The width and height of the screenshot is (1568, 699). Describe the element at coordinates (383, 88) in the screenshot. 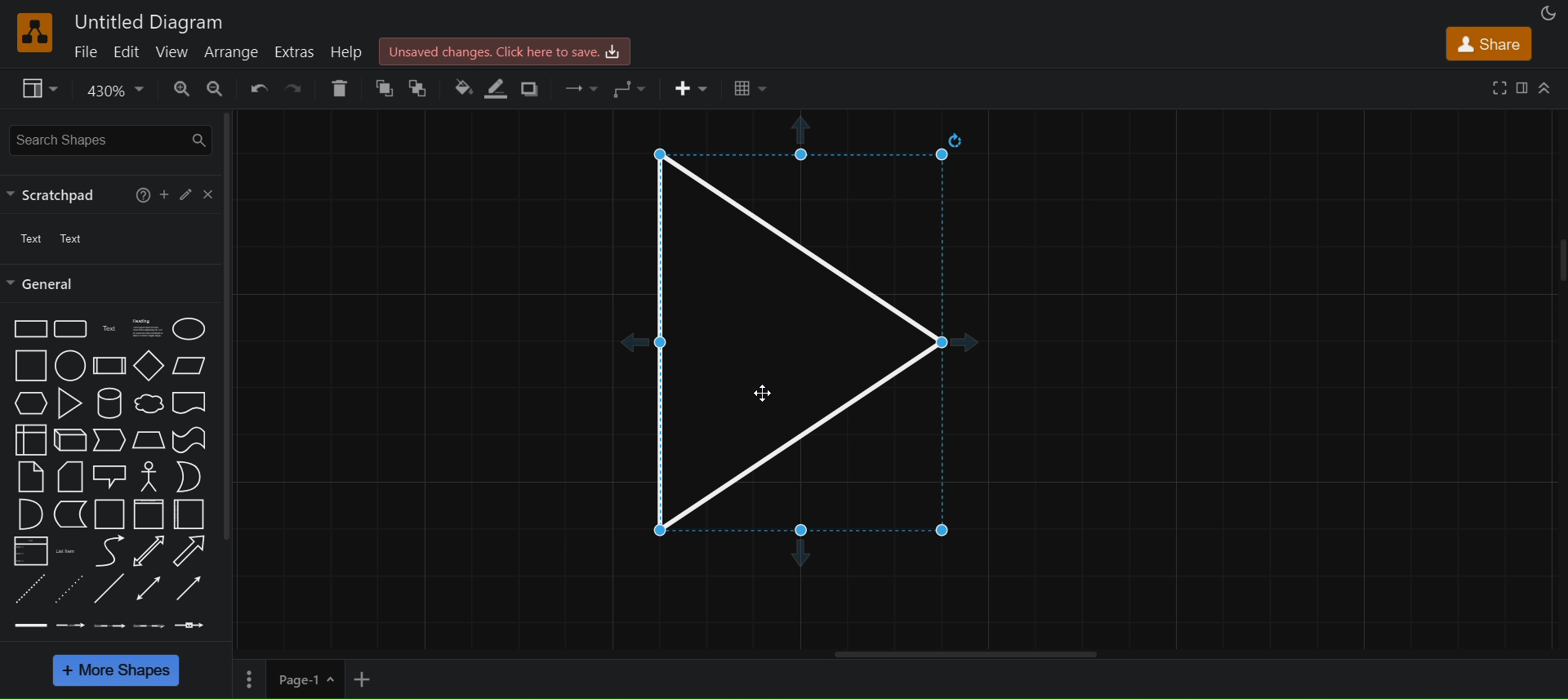

I see `to front` at that location.